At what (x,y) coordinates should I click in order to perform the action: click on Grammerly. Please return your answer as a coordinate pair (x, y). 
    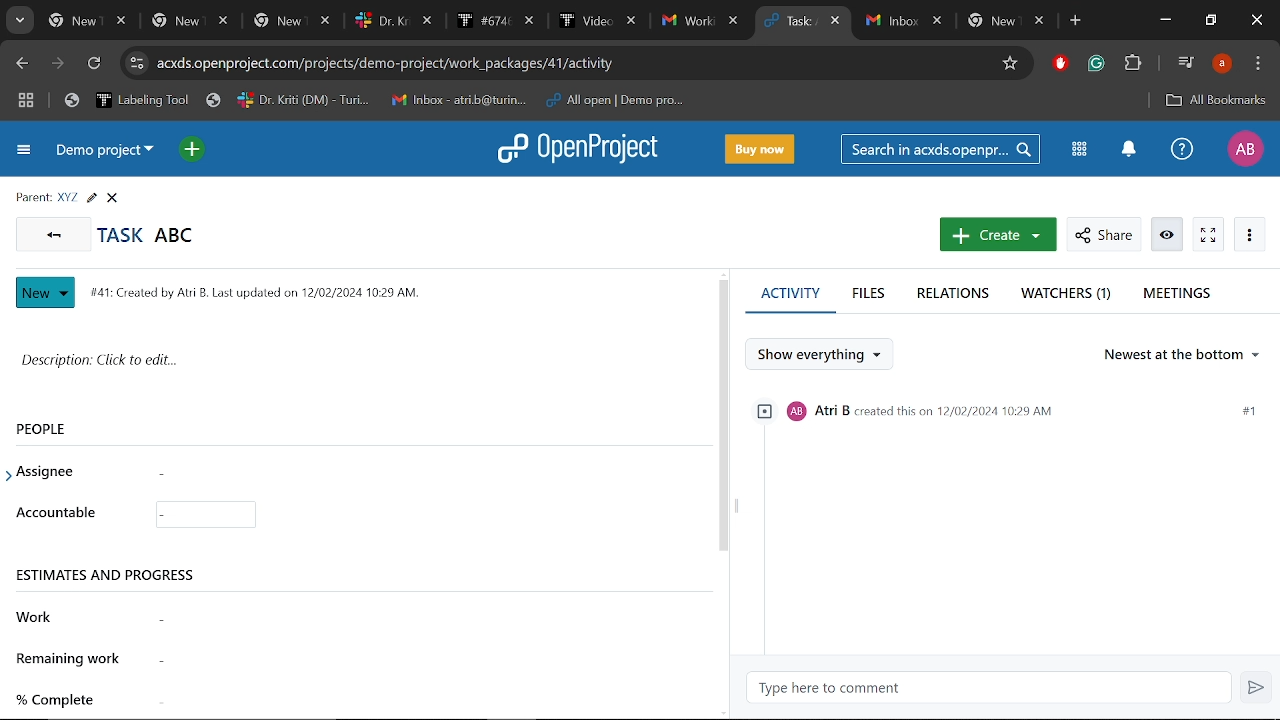
    Looking at the image, I should click on (1097, 63).